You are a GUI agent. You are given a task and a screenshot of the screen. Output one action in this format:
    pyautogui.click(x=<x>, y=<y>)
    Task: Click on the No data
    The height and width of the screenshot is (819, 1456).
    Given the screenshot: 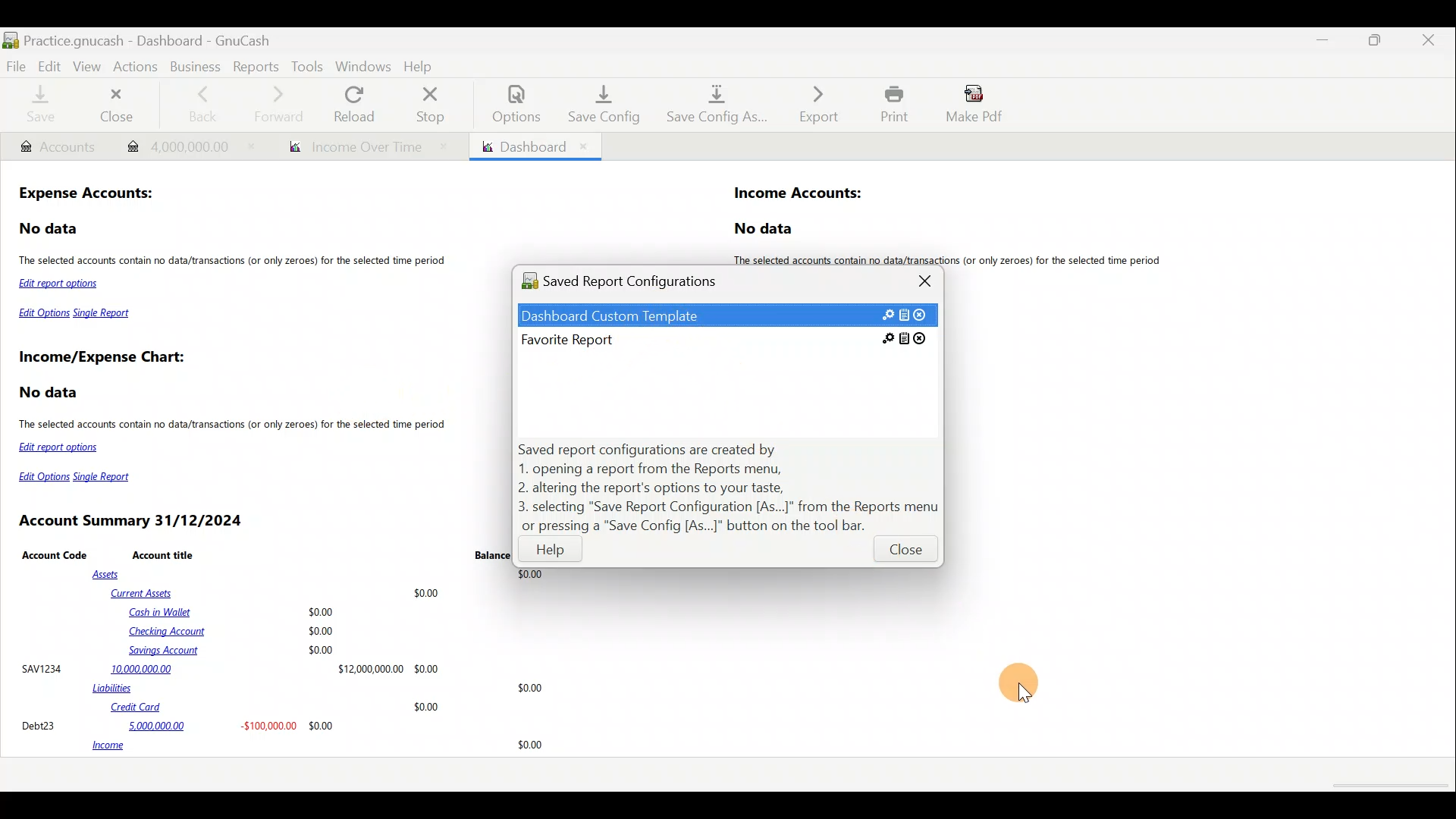 What is the action you would take?
    pyautogui.click(x=50, y=229)
    